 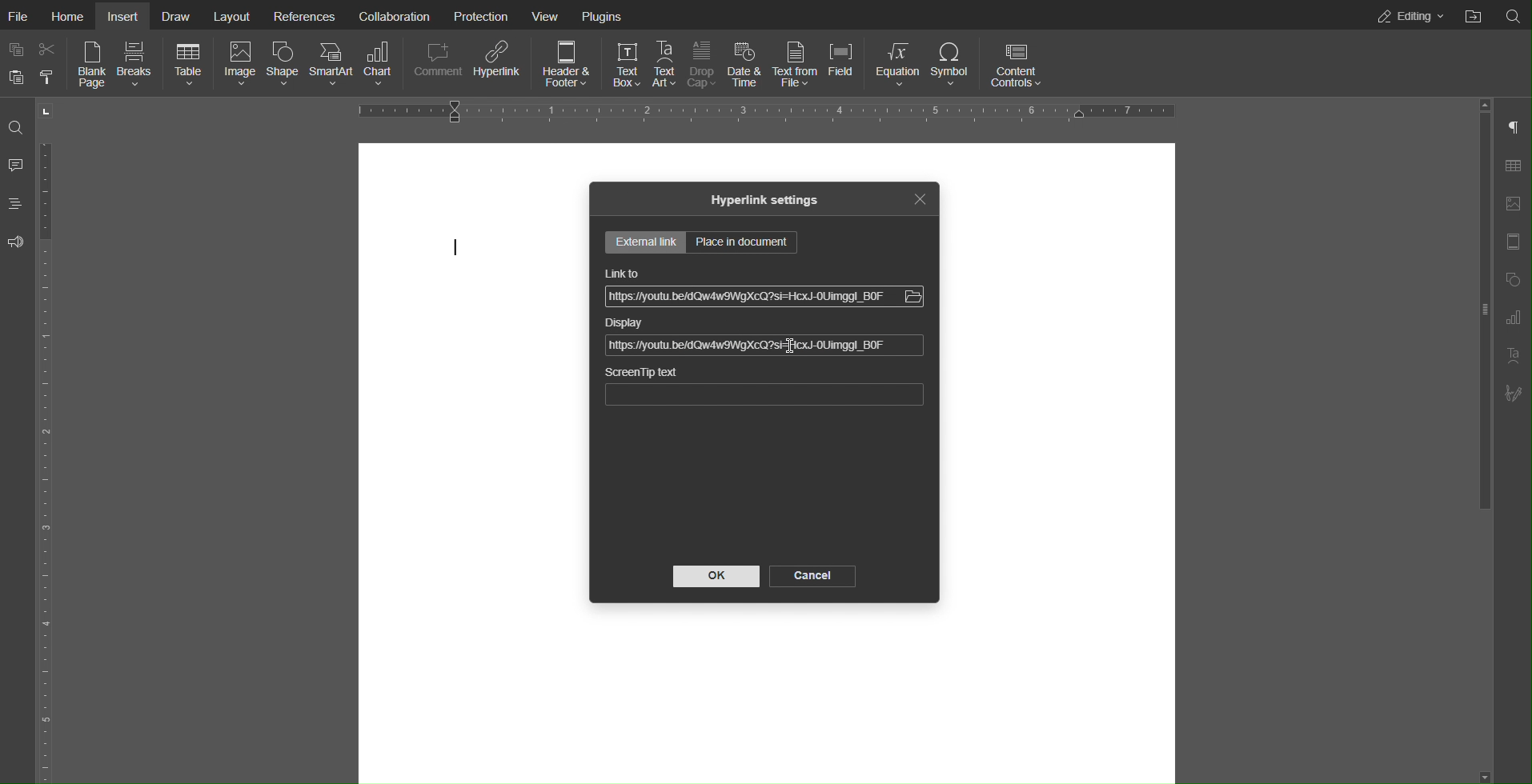 What do you see at coordinates (812, 576) in the screenshot?
I see `Cancel` at bounding box center [812, 576].